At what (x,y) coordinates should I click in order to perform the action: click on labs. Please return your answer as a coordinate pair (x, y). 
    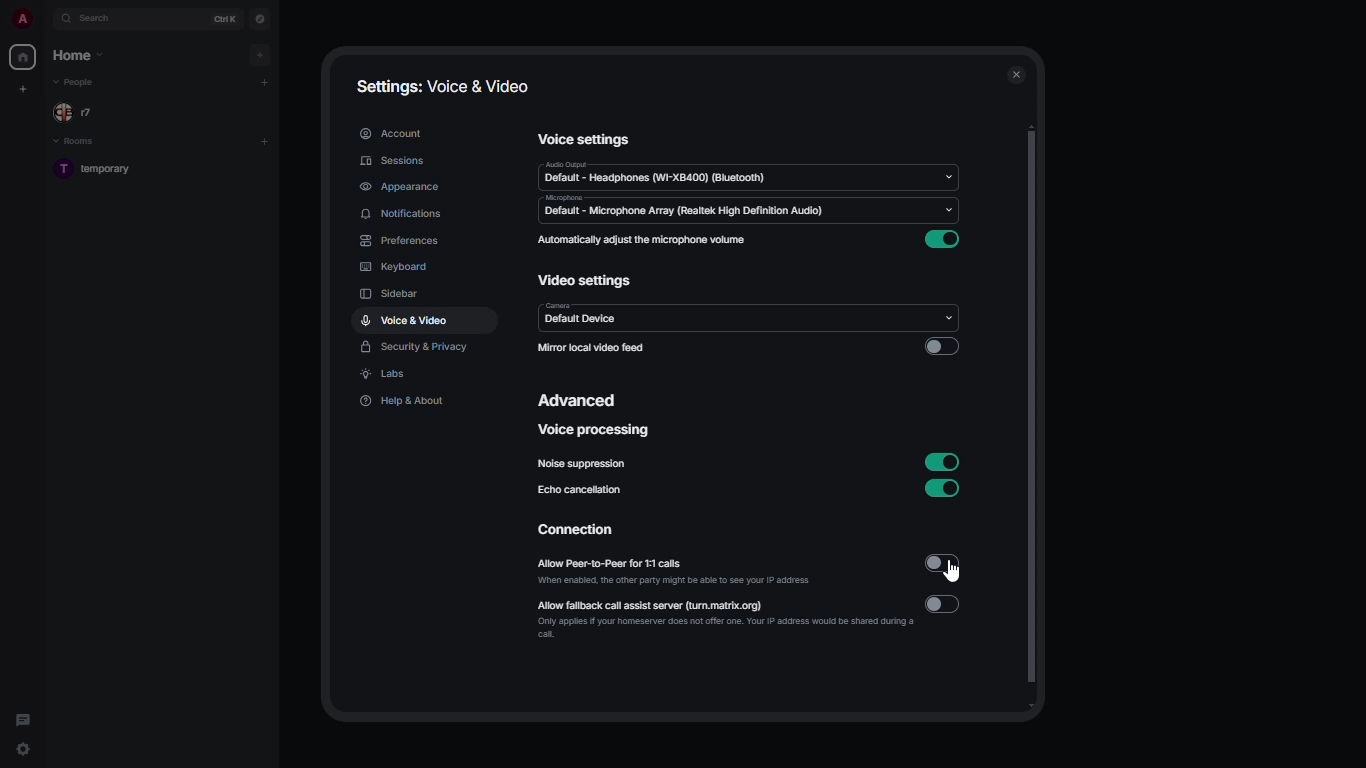
    Looking at the image, I should click on (384, 376).